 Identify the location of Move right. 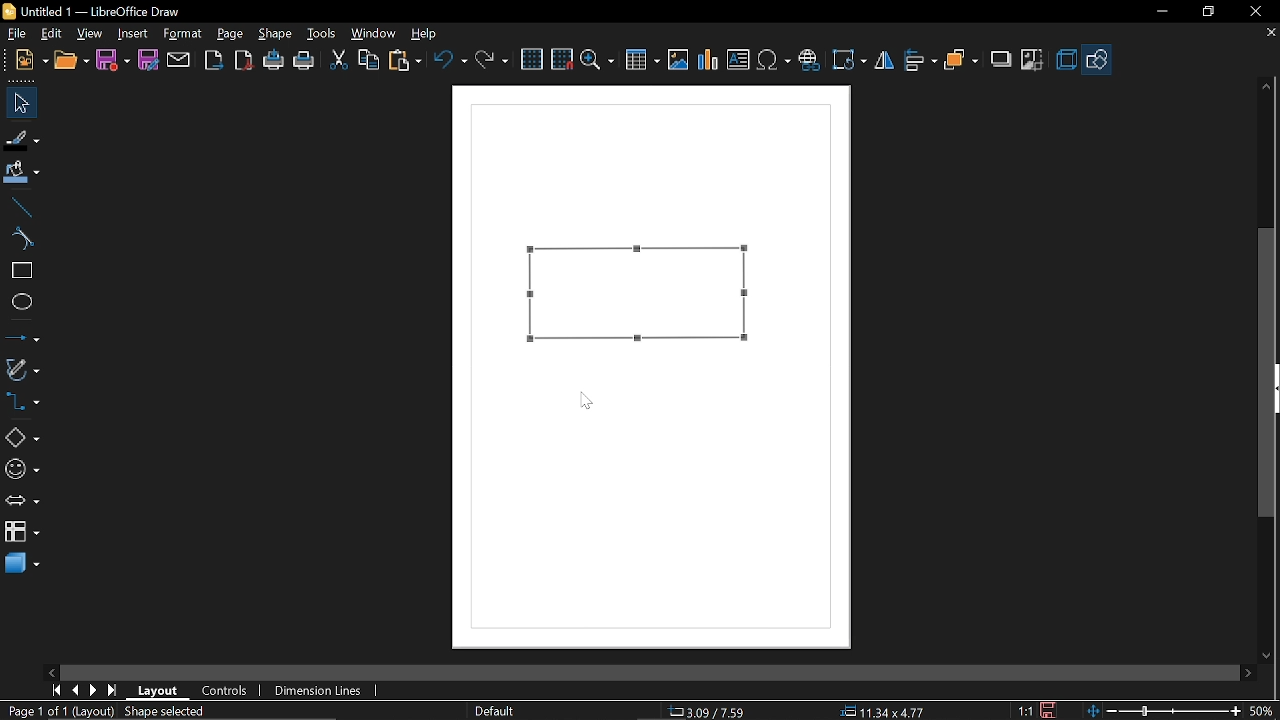
(1247, 673).